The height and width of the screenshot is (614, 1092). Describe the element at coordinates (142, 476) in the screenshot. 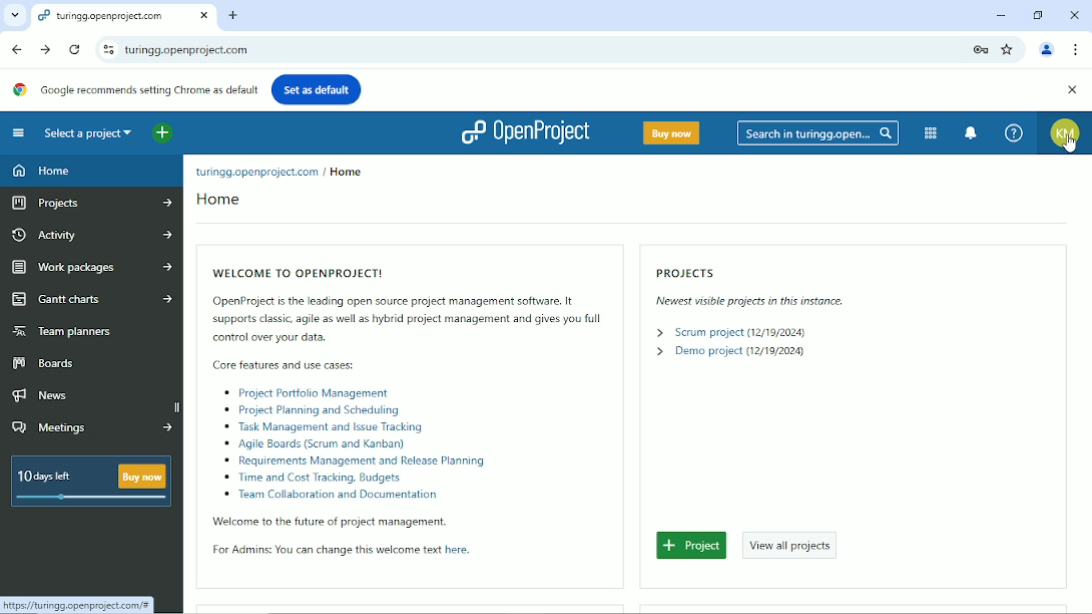

I see `buy now` at that location.